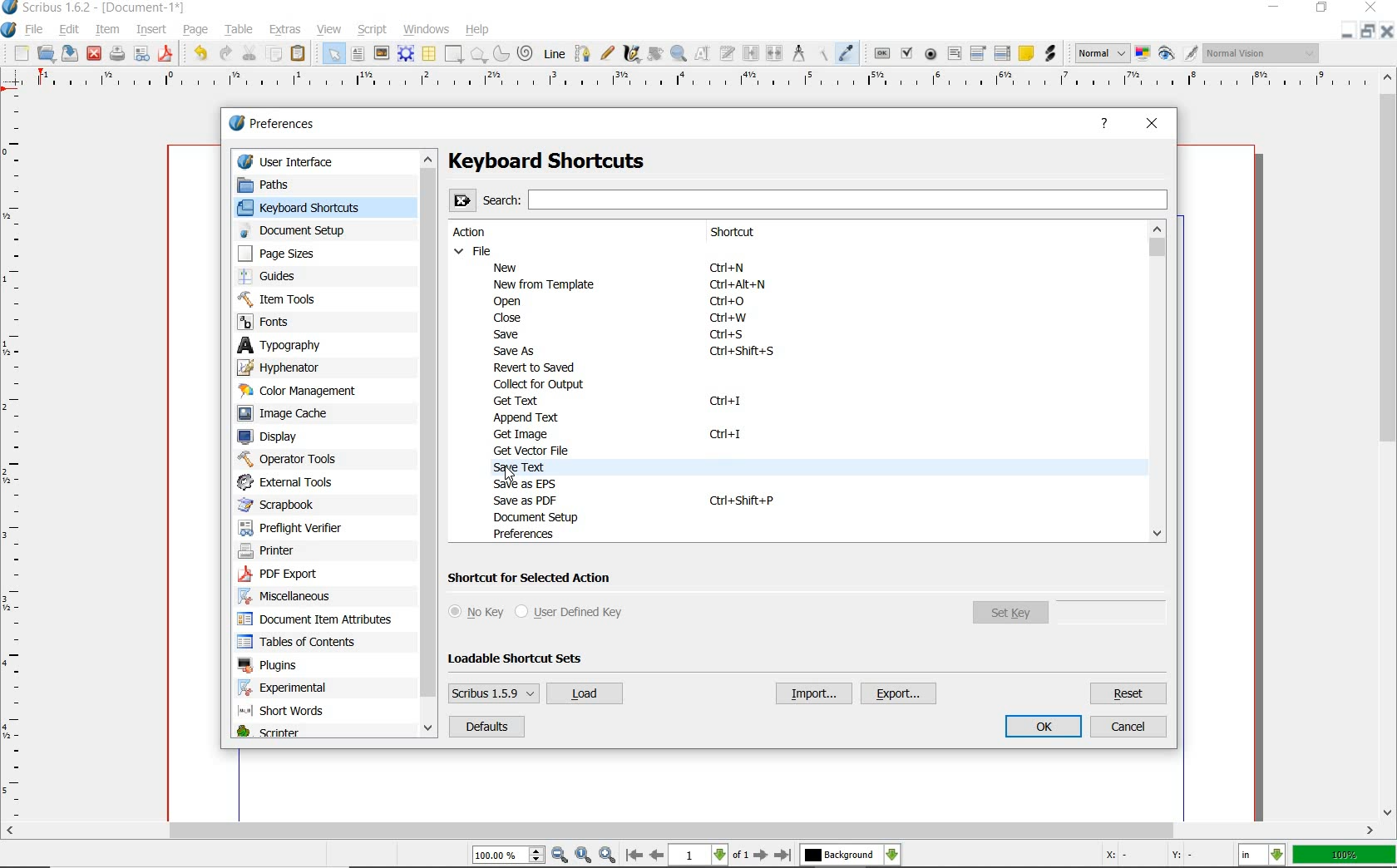 The height and width of the screenshot is (868, 1397). What do you see at coordinates (812, 693) in the screenshot?
I see `import` at bounding box center [812, 693].